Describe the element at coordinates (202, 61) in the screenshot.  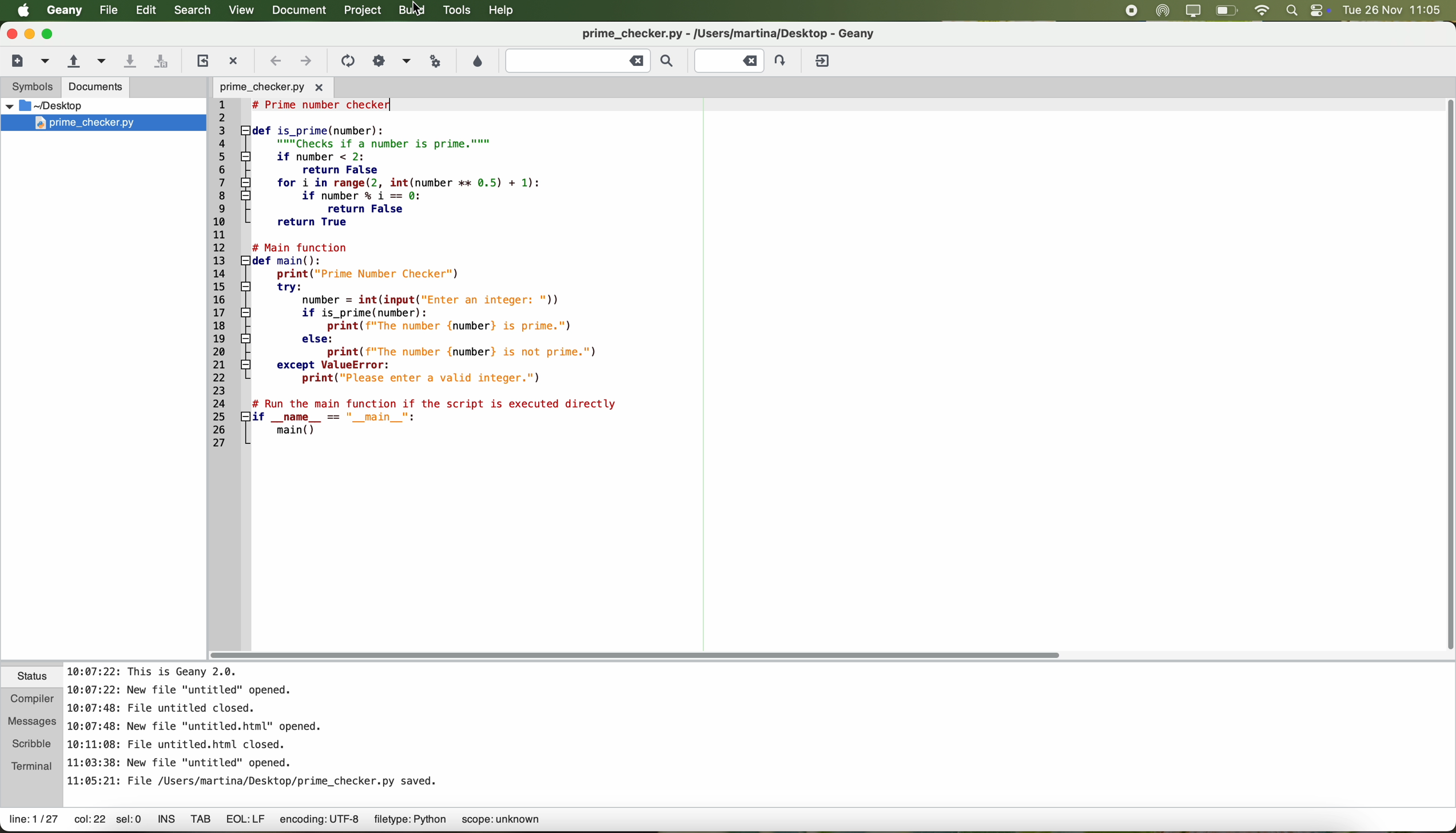
I see `reload the current file from disk` at that location.